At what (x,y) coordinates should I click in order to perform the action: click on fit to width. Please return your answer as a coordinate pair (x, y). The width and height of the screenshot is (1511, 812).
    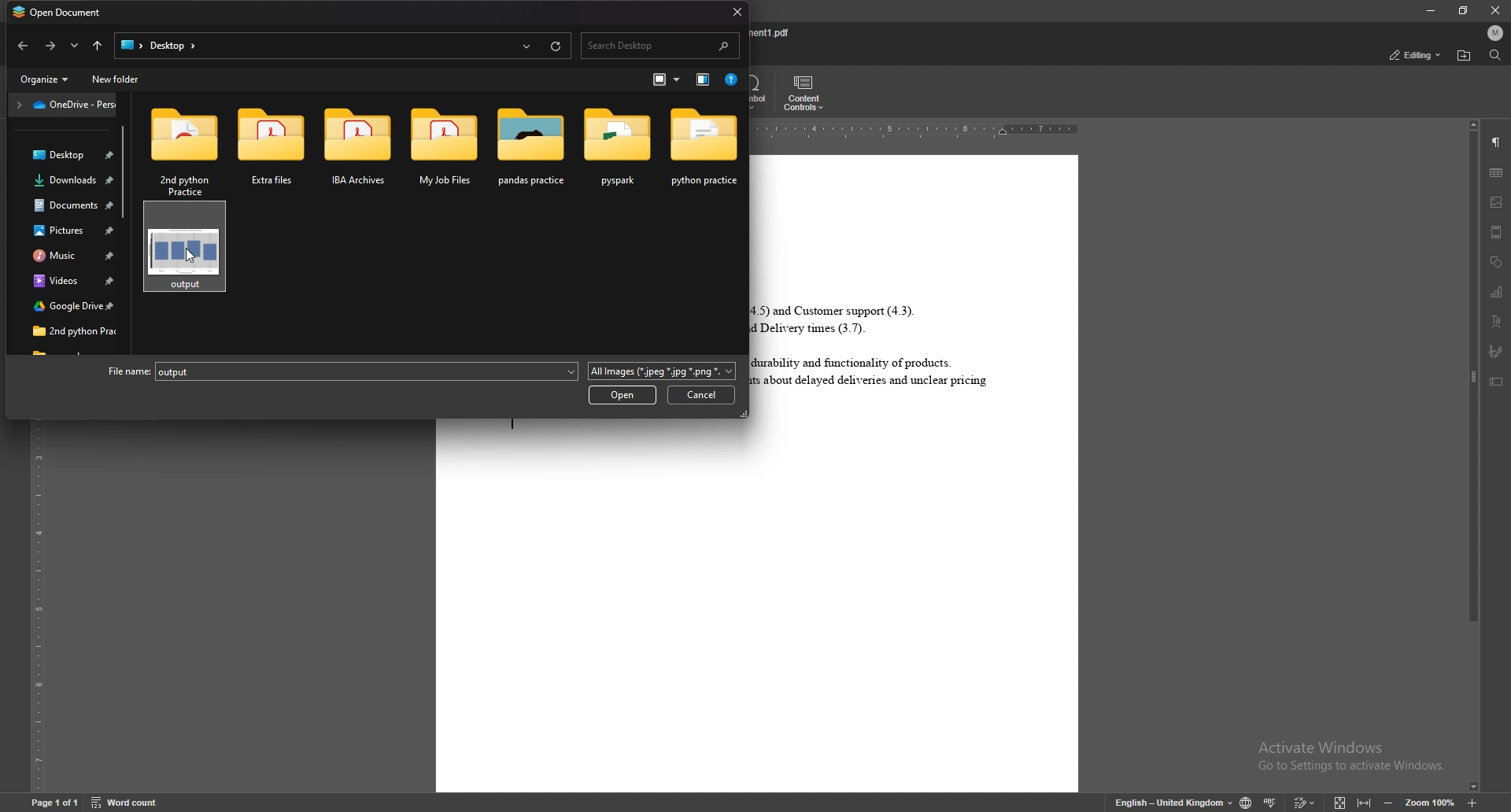
    Looking at the image, I should click on (1365, 802).